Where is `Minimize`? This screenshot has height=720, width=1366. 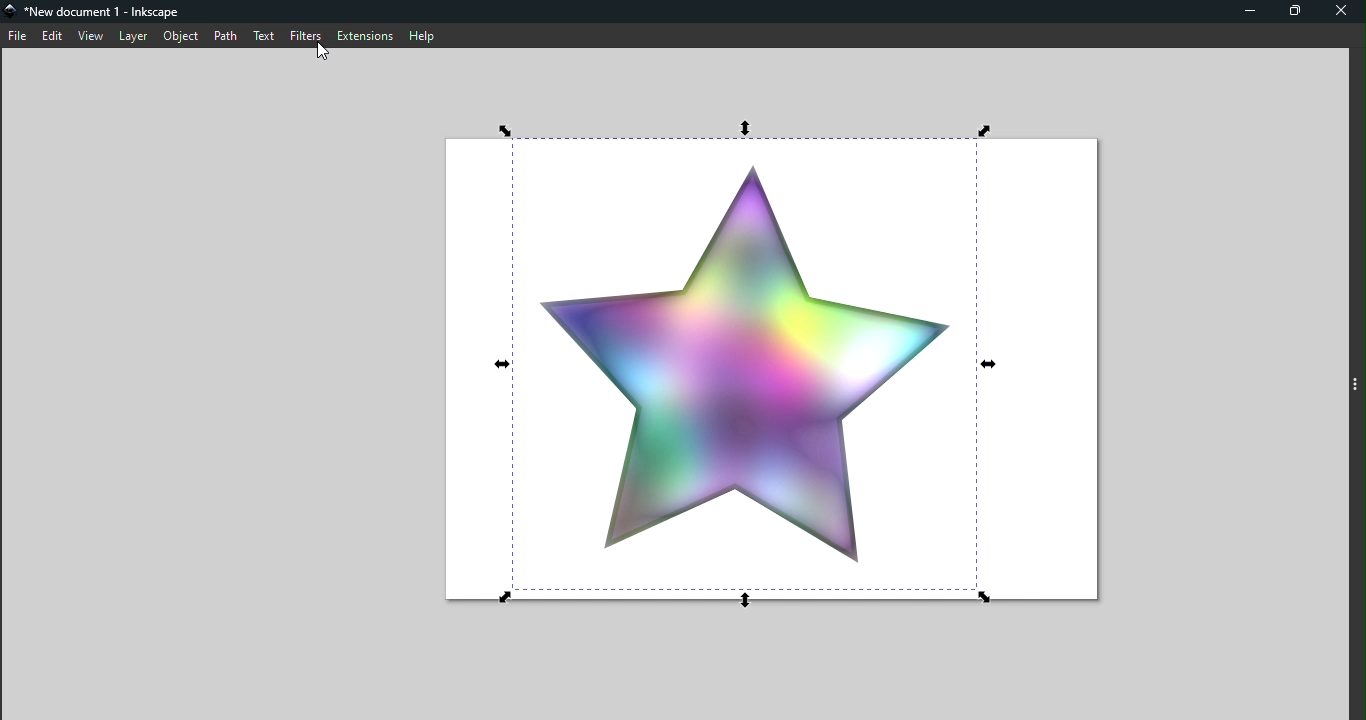
Minimize is located at coordinates (1247, 11).